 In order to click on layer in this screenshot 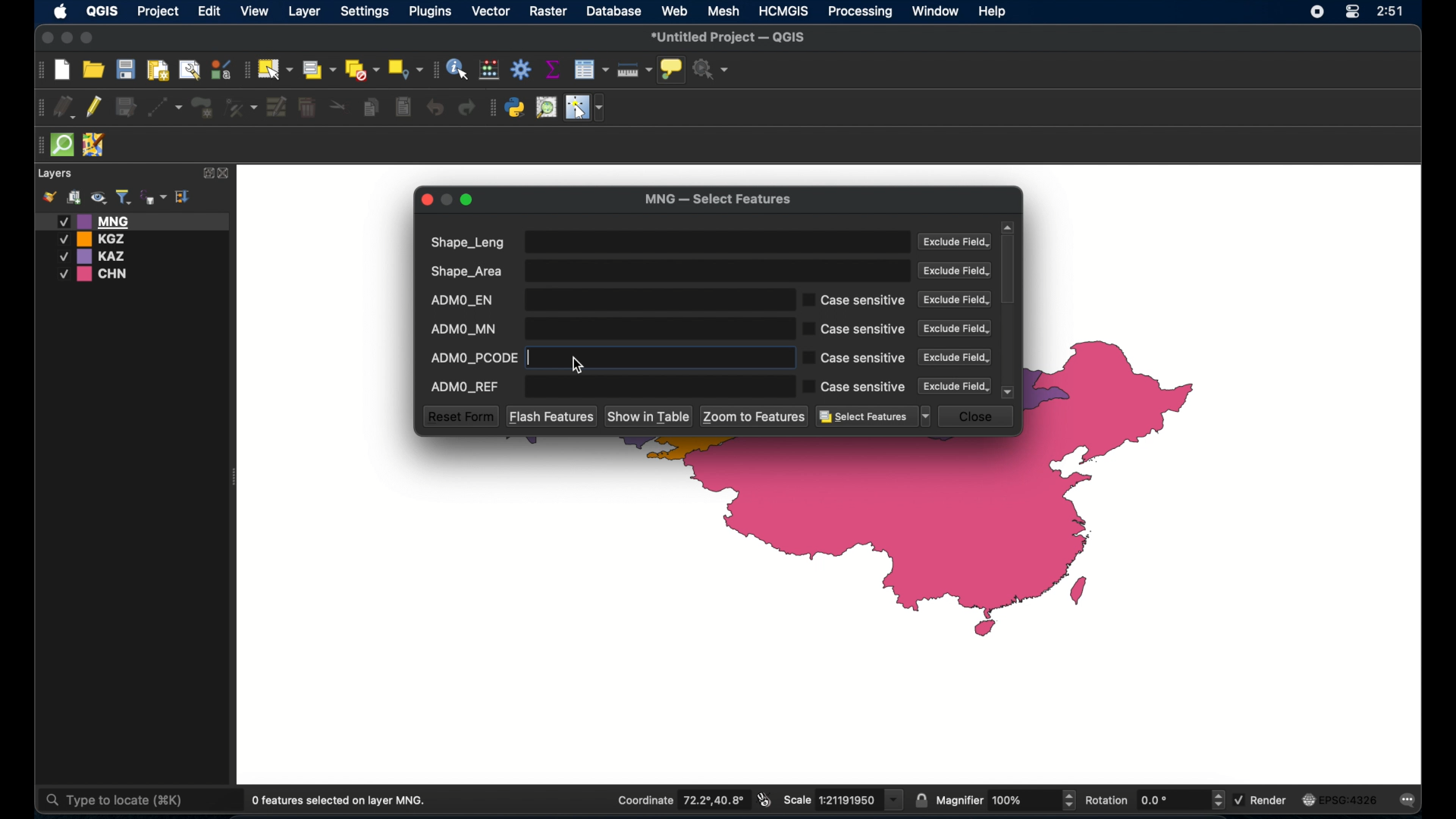, I will do `click(303, 11)`.